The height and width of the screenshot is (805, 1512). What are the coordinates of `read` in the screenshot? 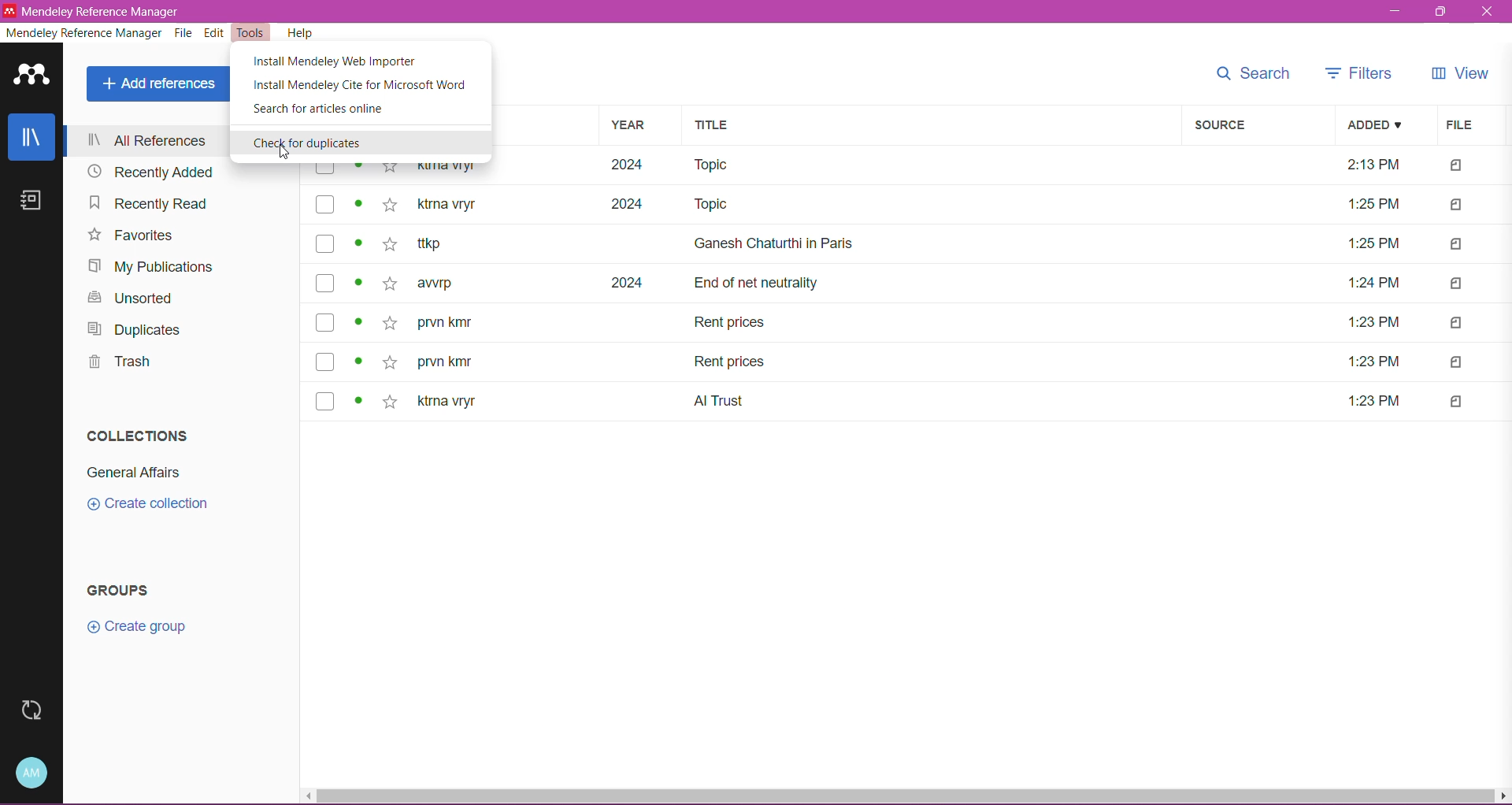 It's located at (358, 321).